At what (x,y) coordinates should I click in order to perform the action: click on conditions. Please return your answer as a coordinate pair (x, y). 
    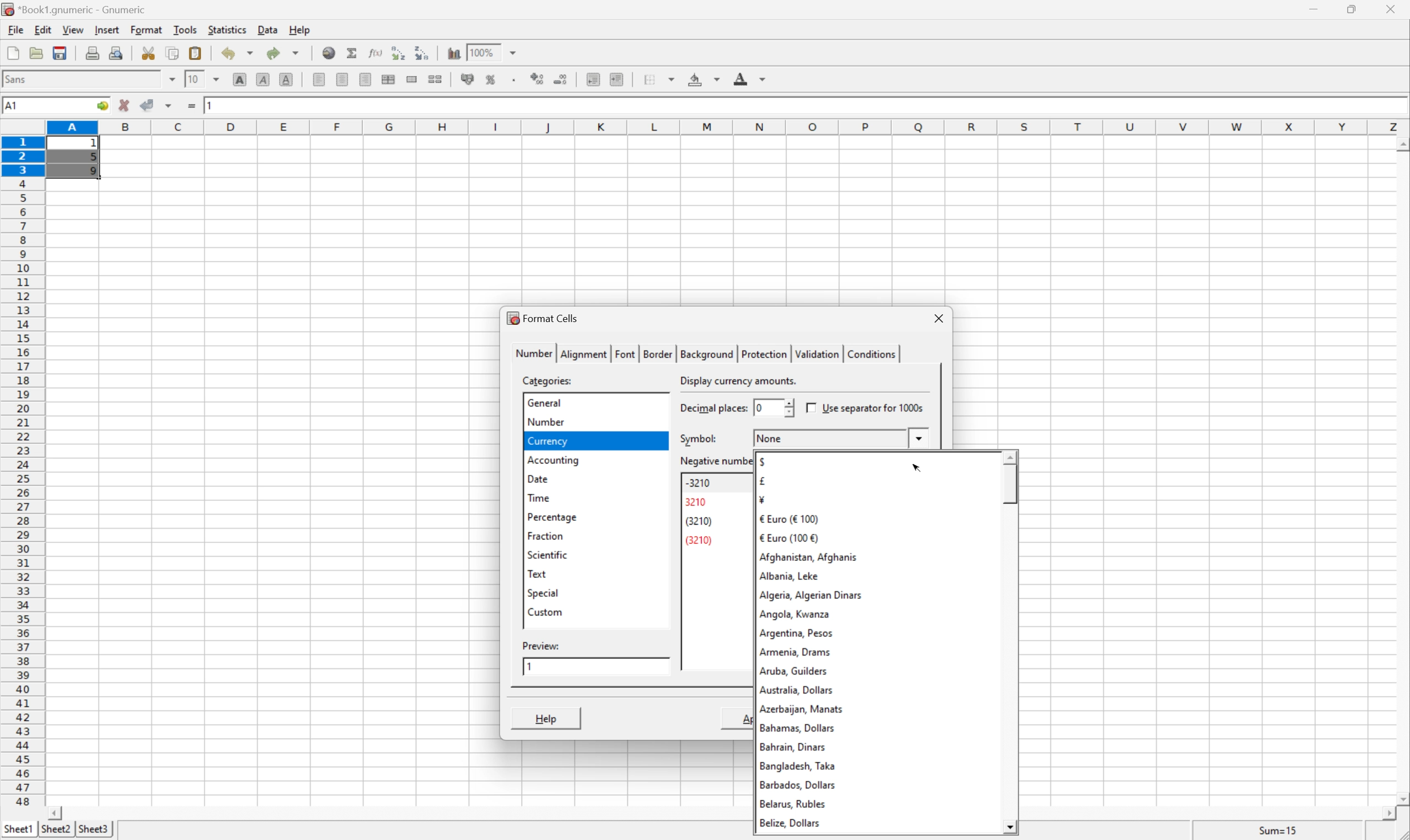
    Looking at the image, I should click on (869, 353).